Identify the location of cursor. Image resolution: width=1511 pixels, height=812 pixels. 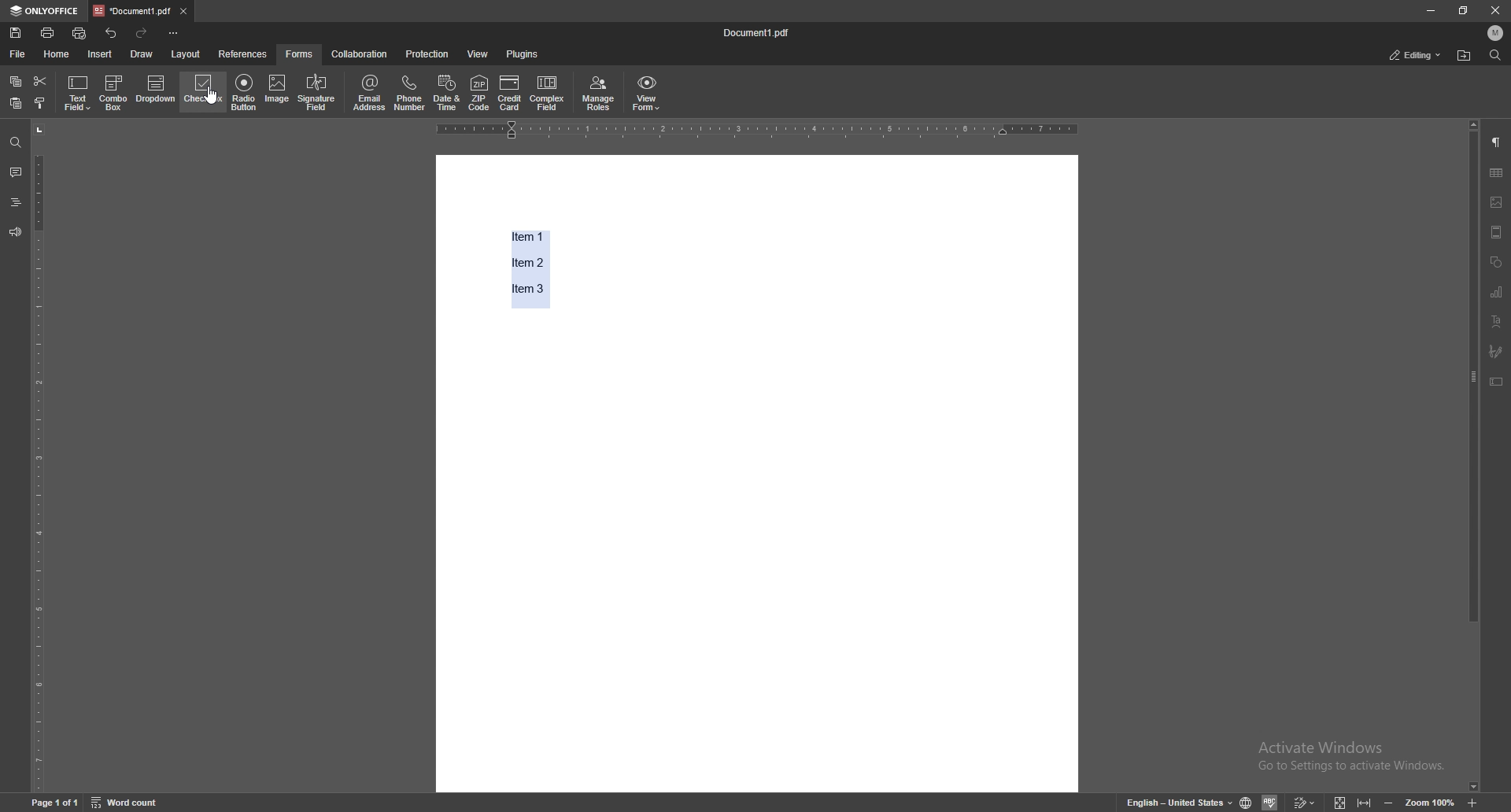
(220, 105).